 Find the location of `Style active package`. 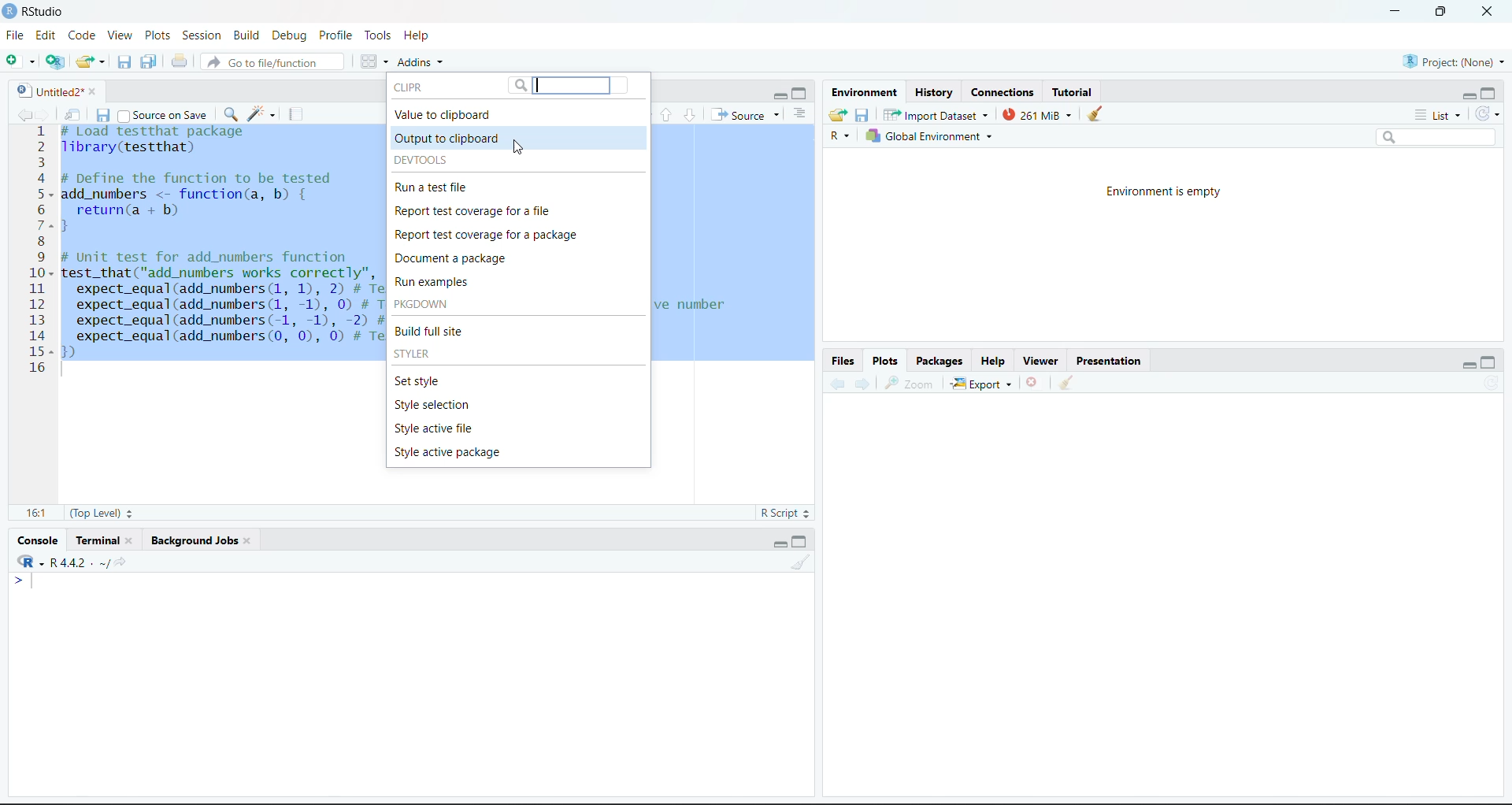

Style active package is located at coordinates (448, 454).